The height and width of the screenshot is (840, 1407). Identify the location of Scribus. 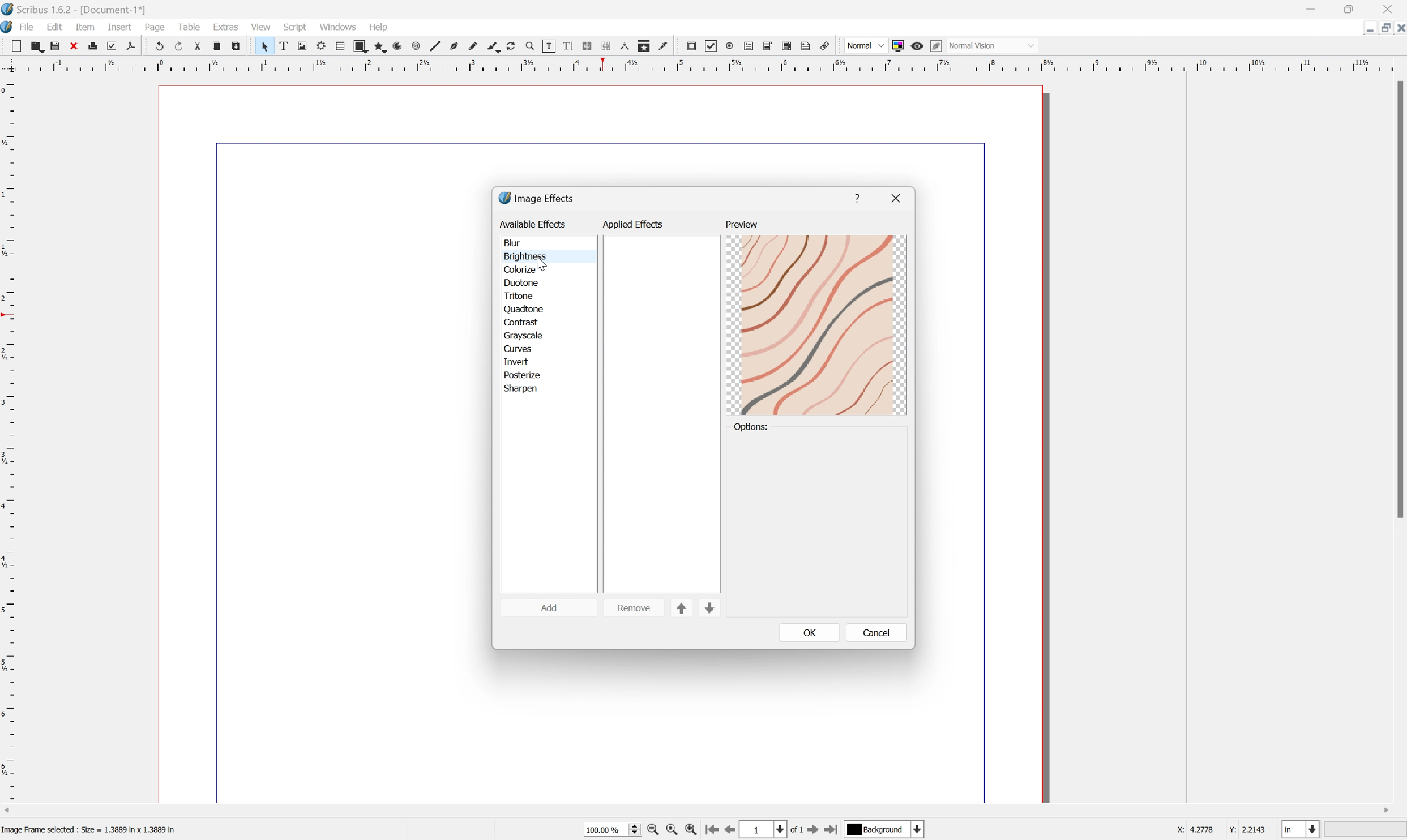
(9, 27).